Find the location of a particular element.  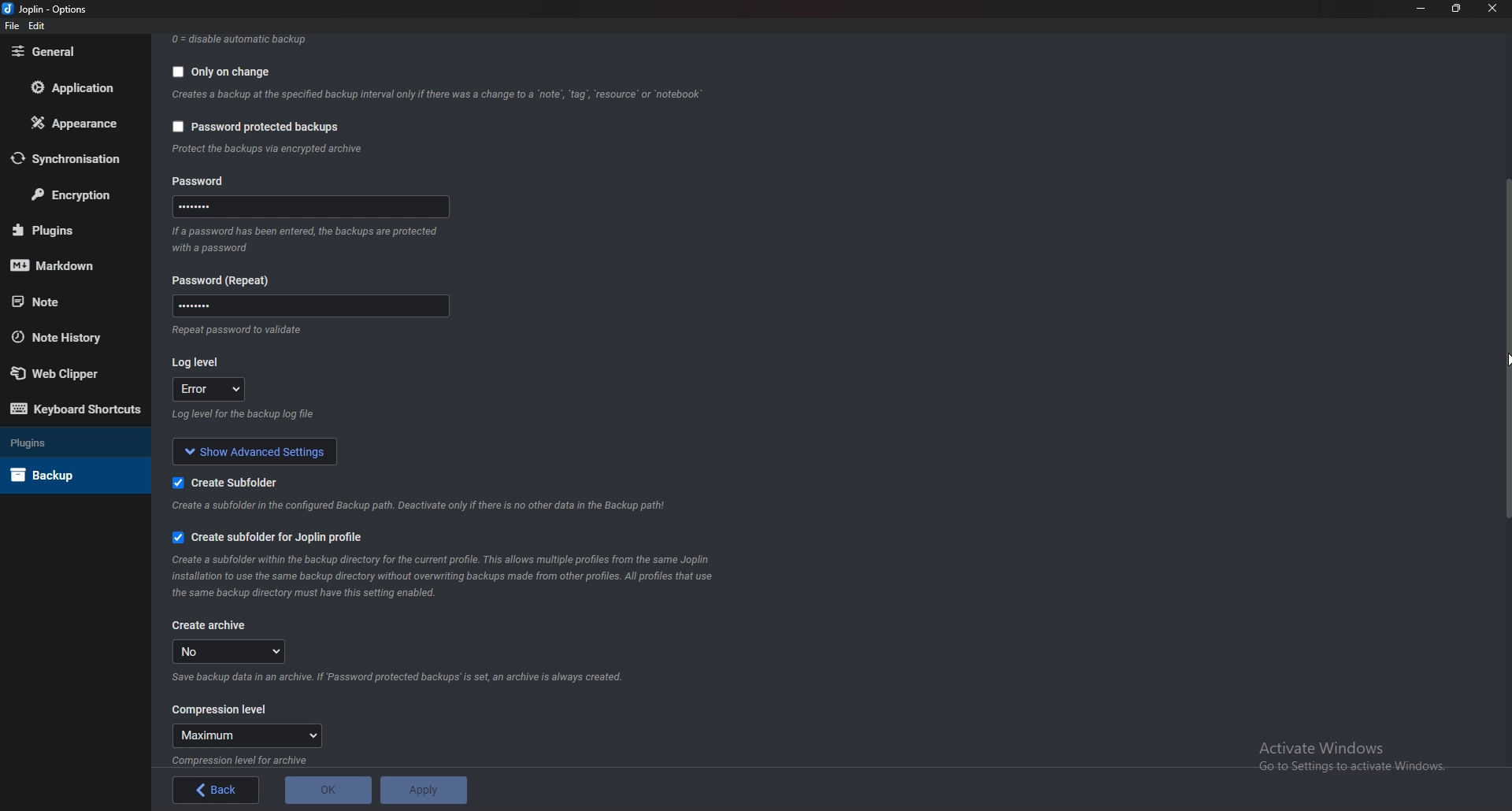

Synchronization is located at coordinates (75, 158).